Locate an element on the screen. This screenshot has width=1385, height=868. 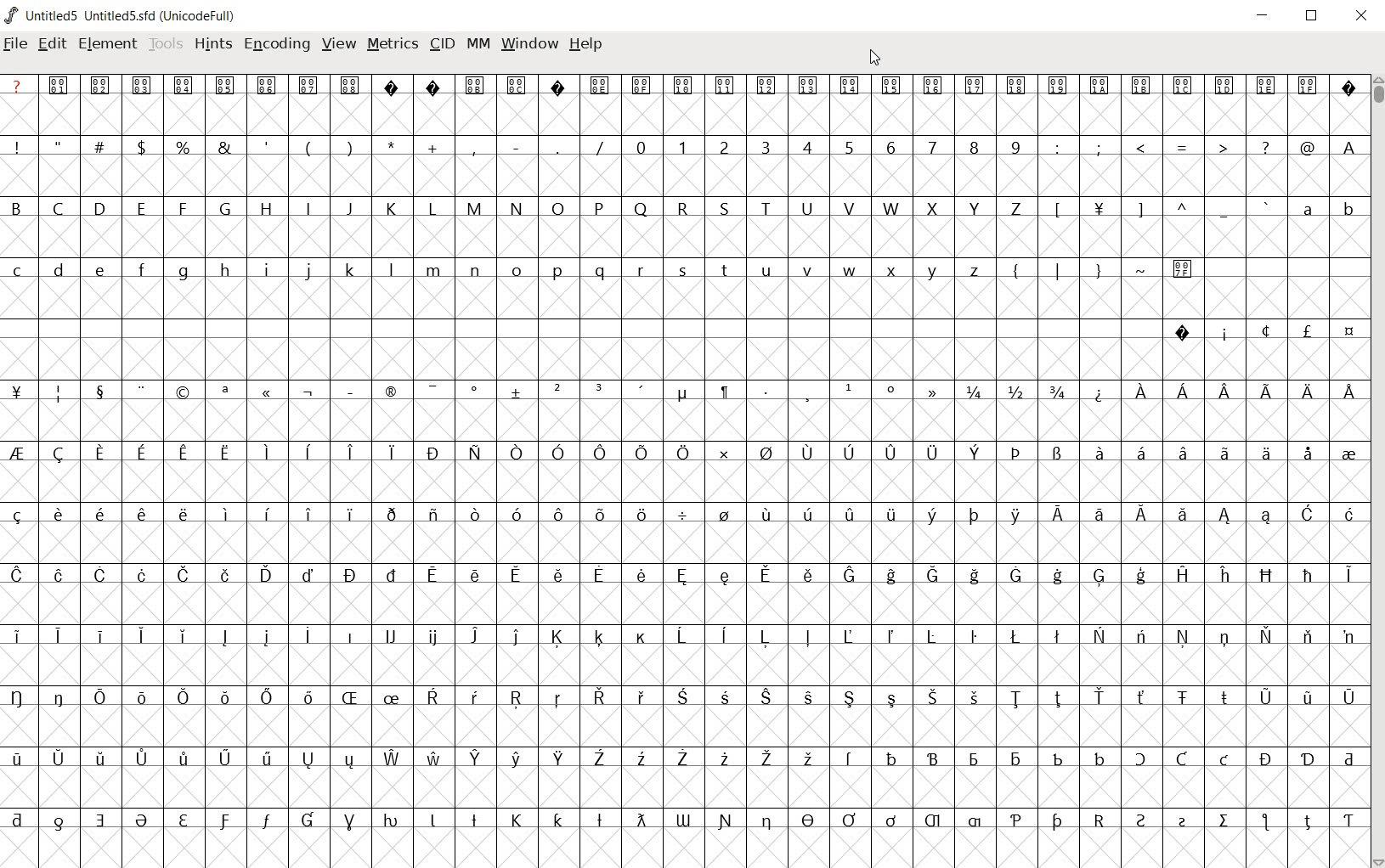
Symbol is located at coordinates (225, 514).